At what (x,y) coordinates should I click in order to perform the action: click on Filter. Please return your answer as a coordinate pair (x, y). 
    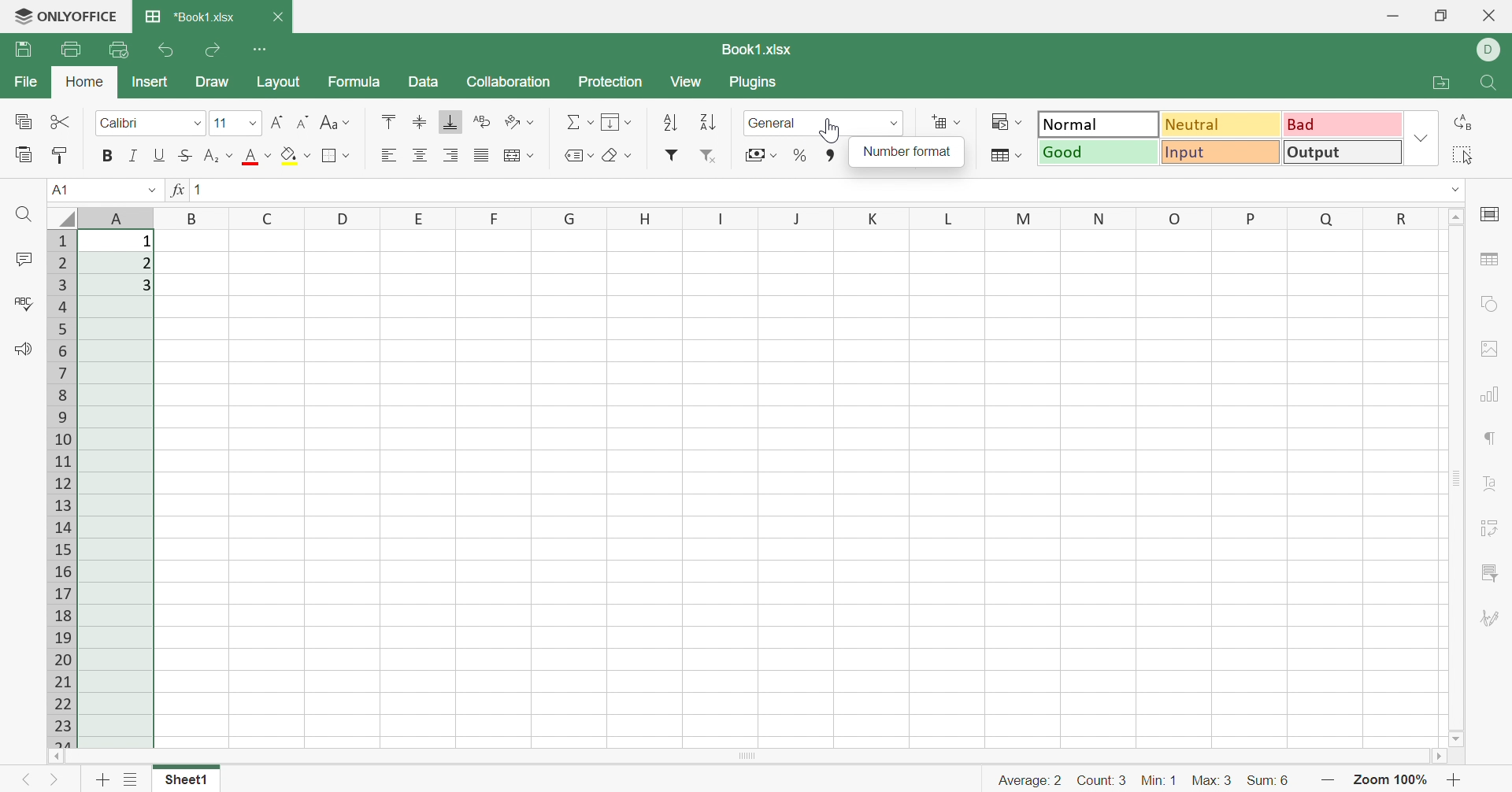
    Looking at the image, I should click on (674, 154).